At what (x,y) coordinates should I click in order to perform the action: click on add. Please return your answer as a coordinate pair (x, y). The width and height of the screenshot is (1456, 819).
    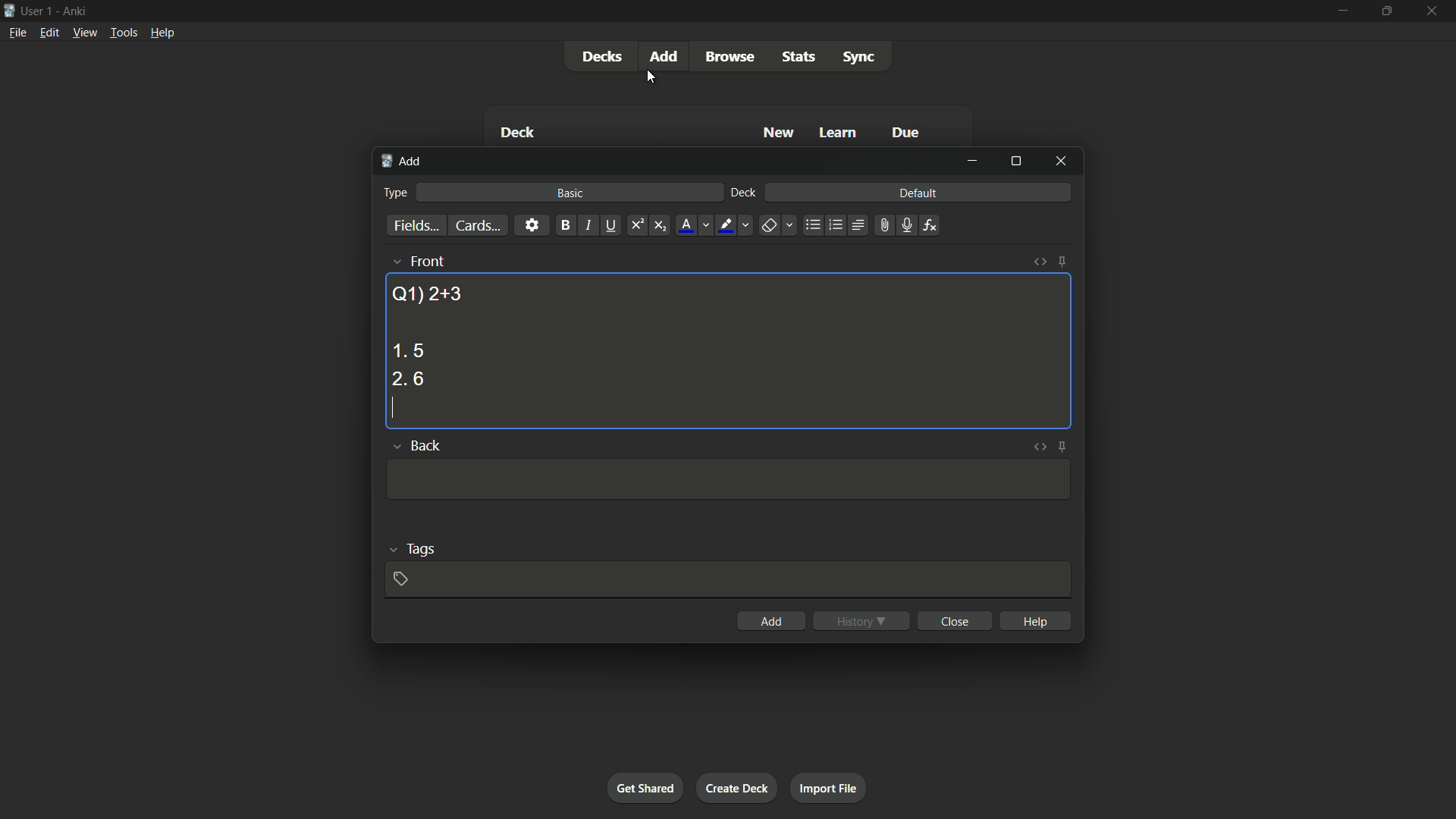
    Looking at the image, I should click on (667, 55).